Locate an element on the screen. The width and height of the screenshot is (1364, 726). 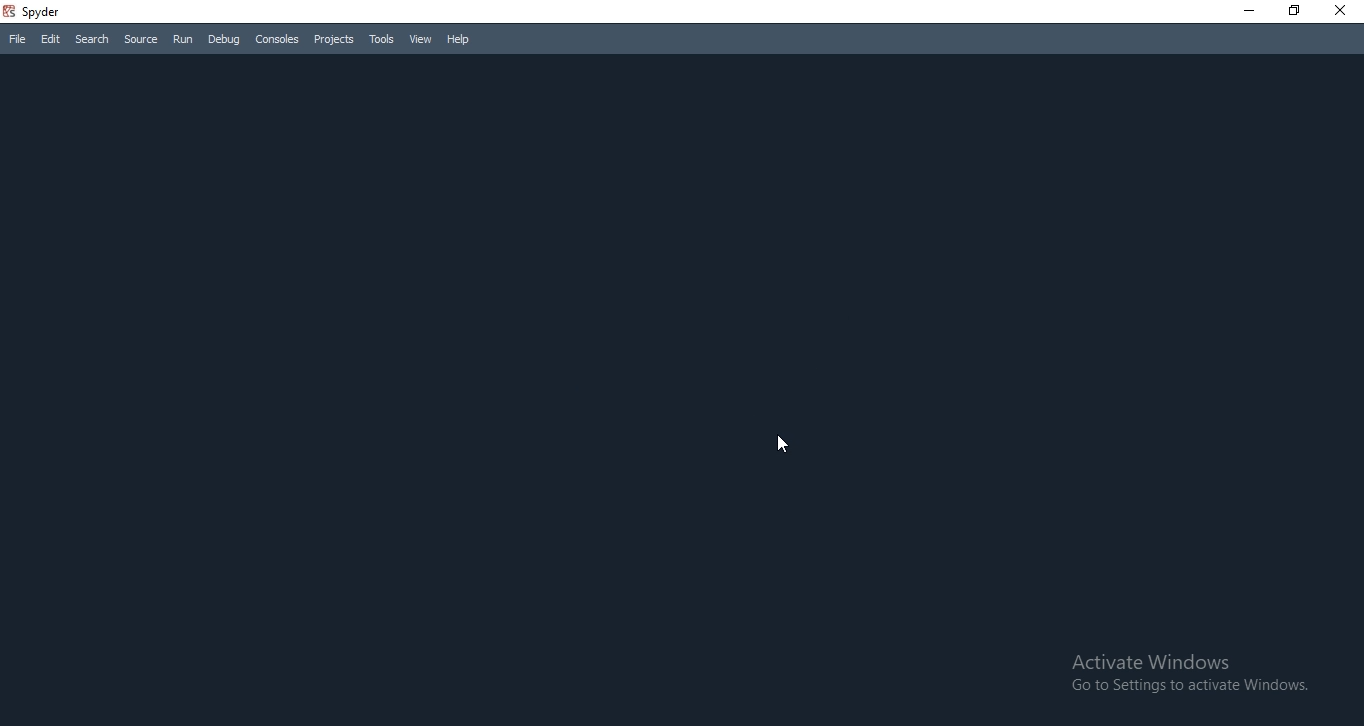
File  is located at coordinates (17, 39).